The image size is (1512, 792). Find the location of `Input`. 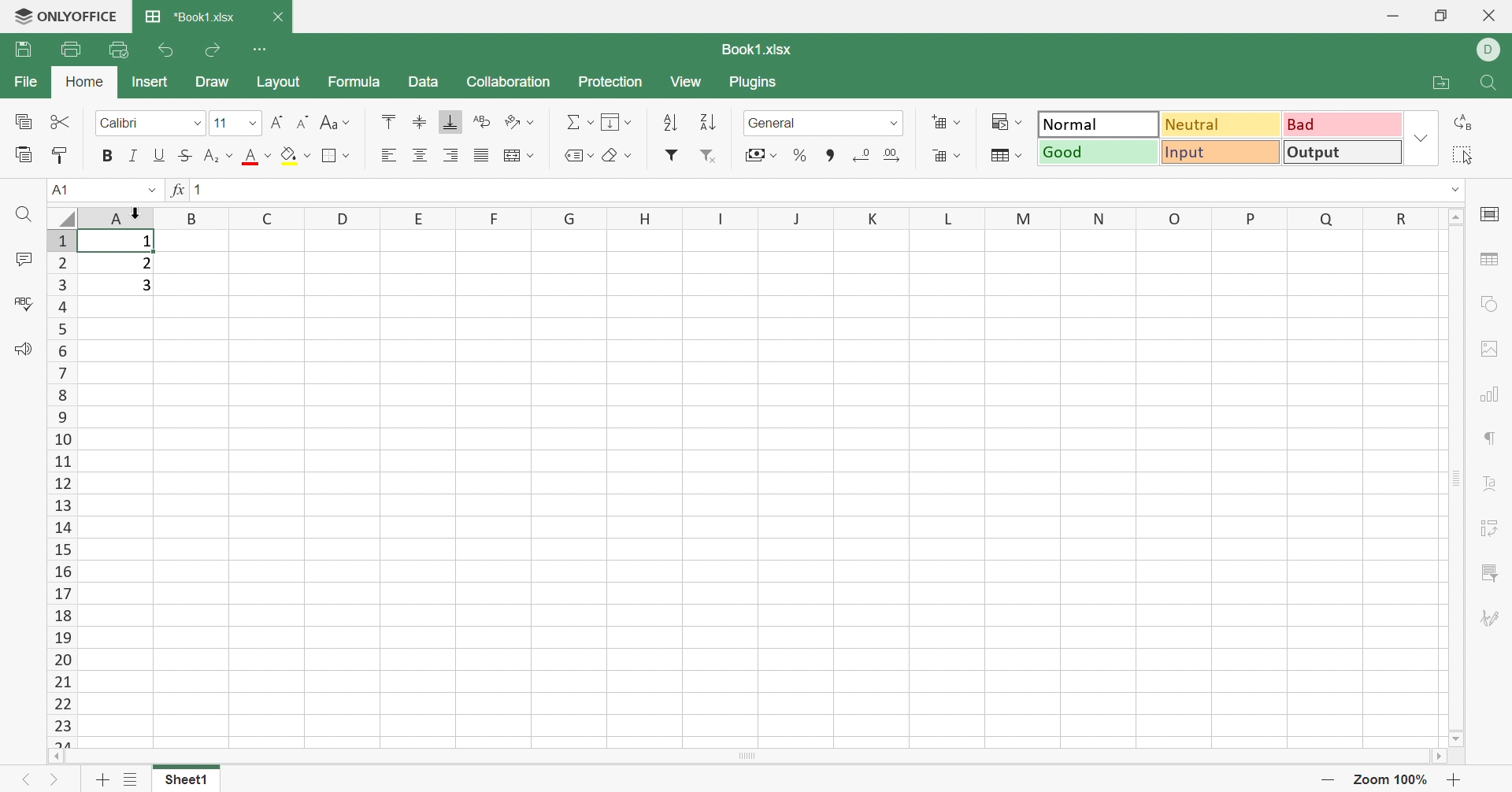

Input is located at coordinates (1222, 154).